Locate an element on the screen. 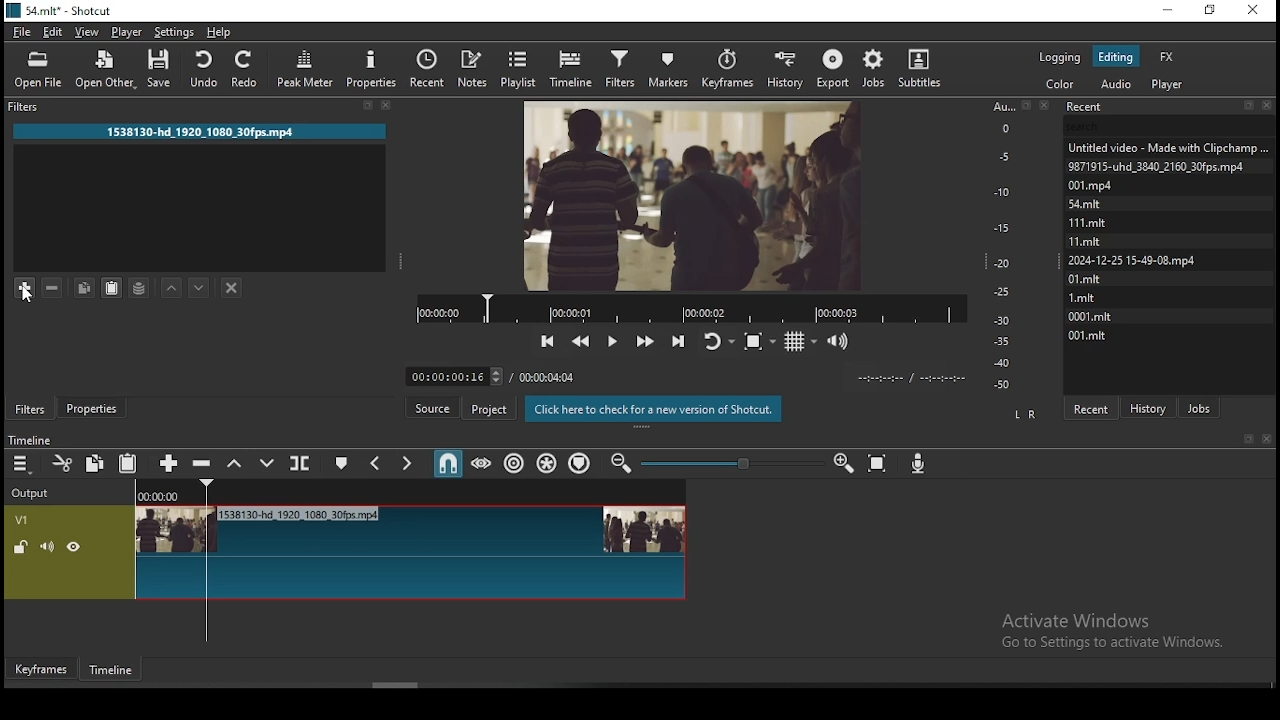 The height and width of the screenshot is (720, 1280). toggle zoom is located at coordinates (759, 339).